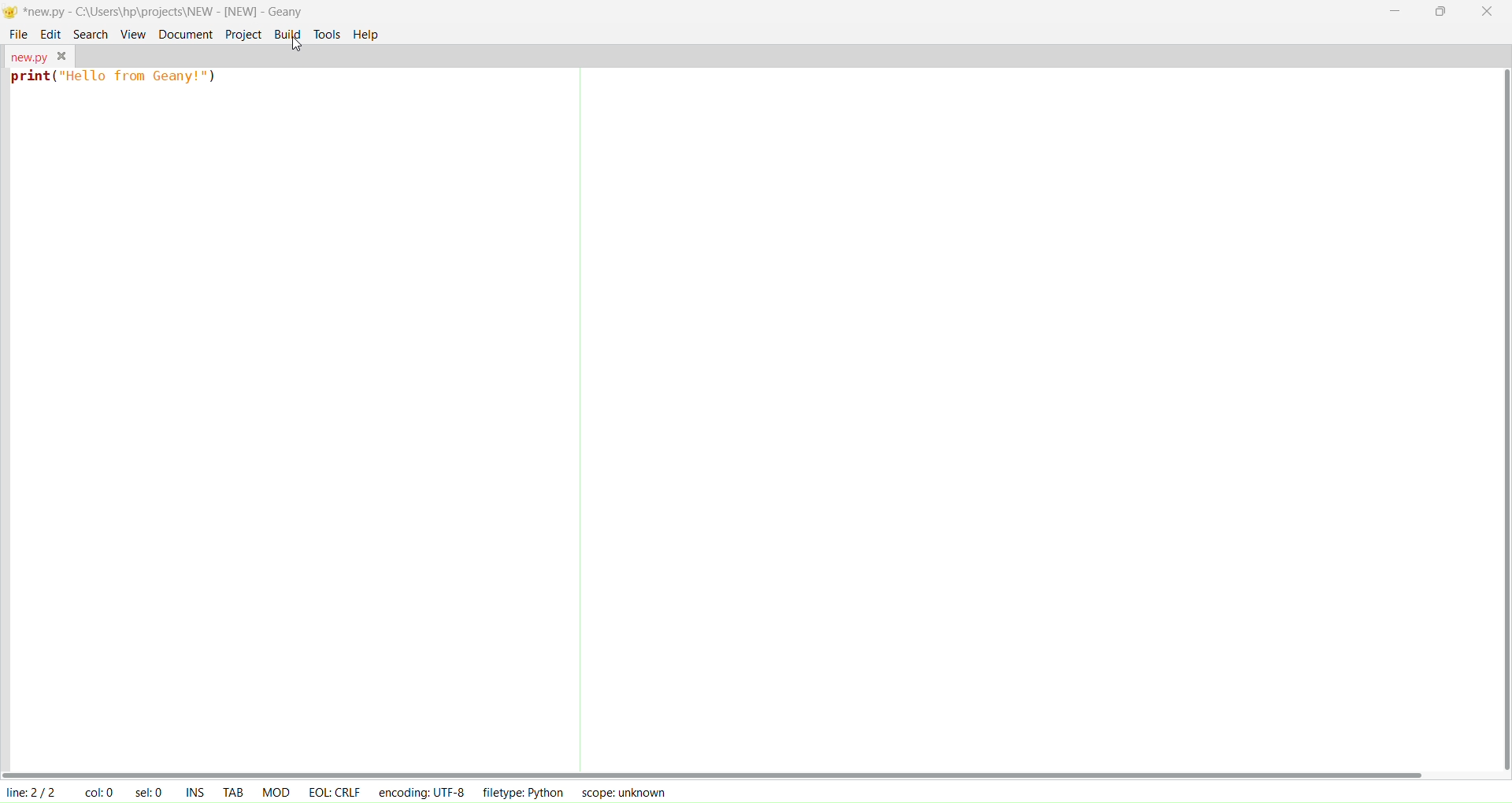 This screenshot has height=803, width=1512. Describe the element at coordinates (621, 792) in the screenshot. I see `scope: unknown` at that location.